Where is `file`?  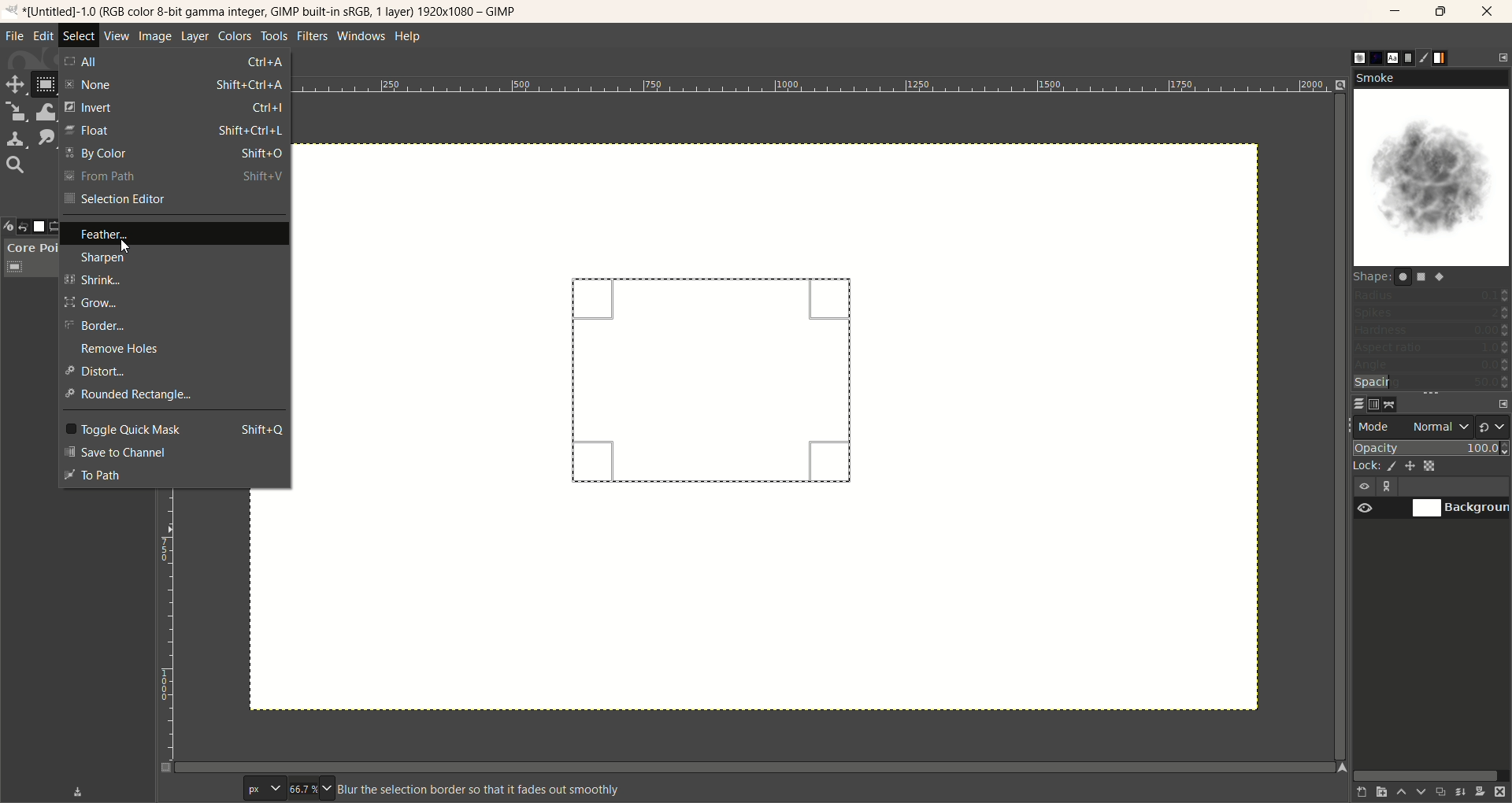
file is located at coordinates (15, 37).